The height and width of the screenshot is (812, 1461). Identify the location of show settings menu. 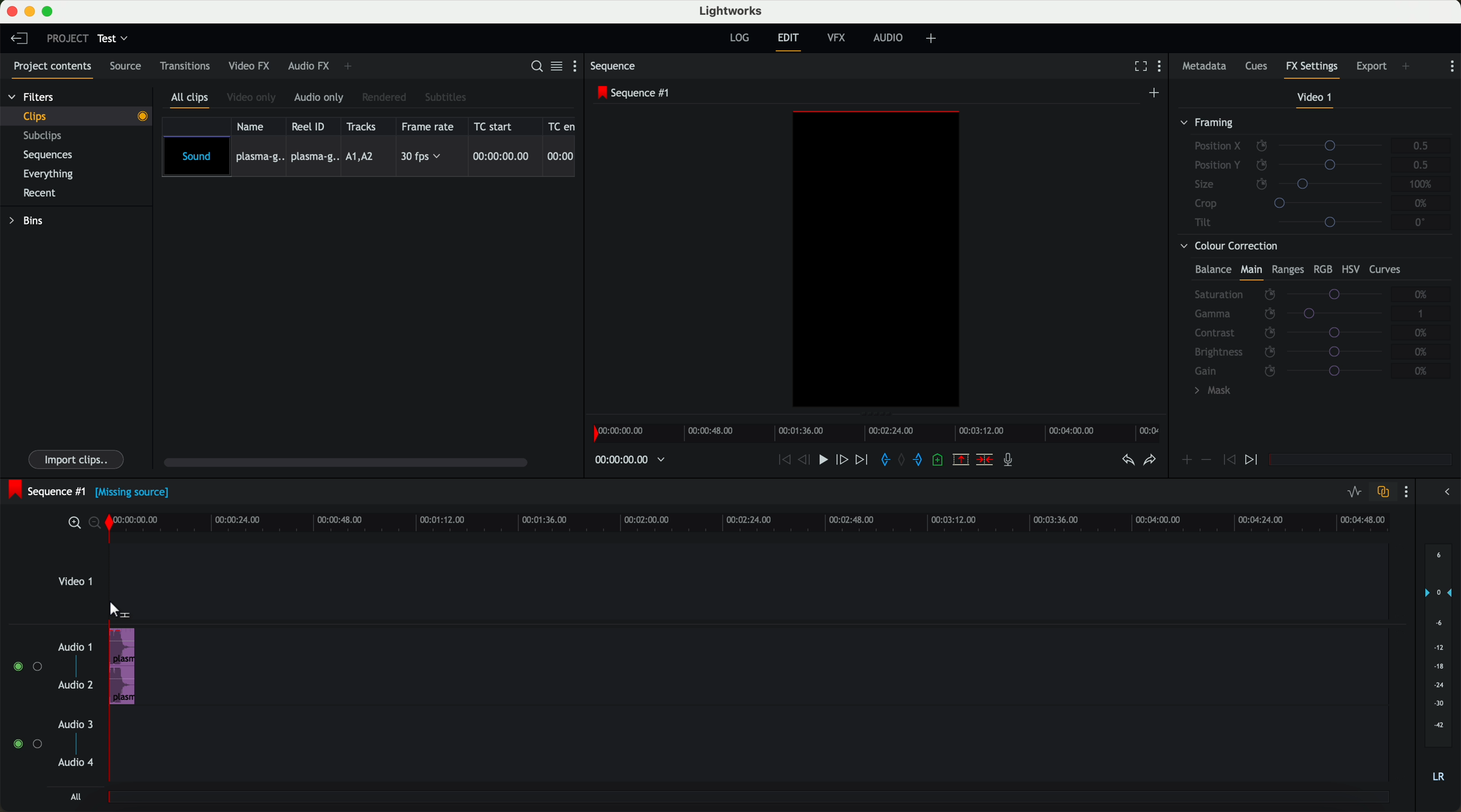
(1164, 68).